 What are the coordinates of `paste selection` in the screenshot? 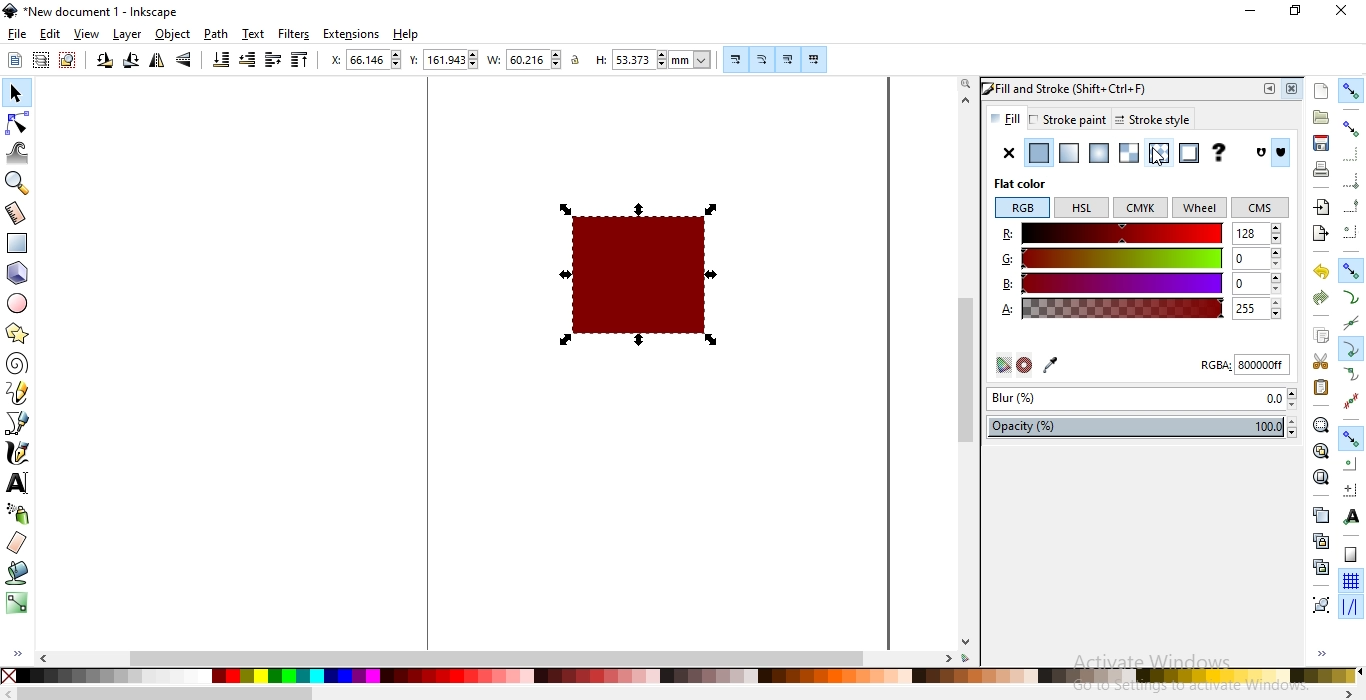 It's located at (1321, 388).